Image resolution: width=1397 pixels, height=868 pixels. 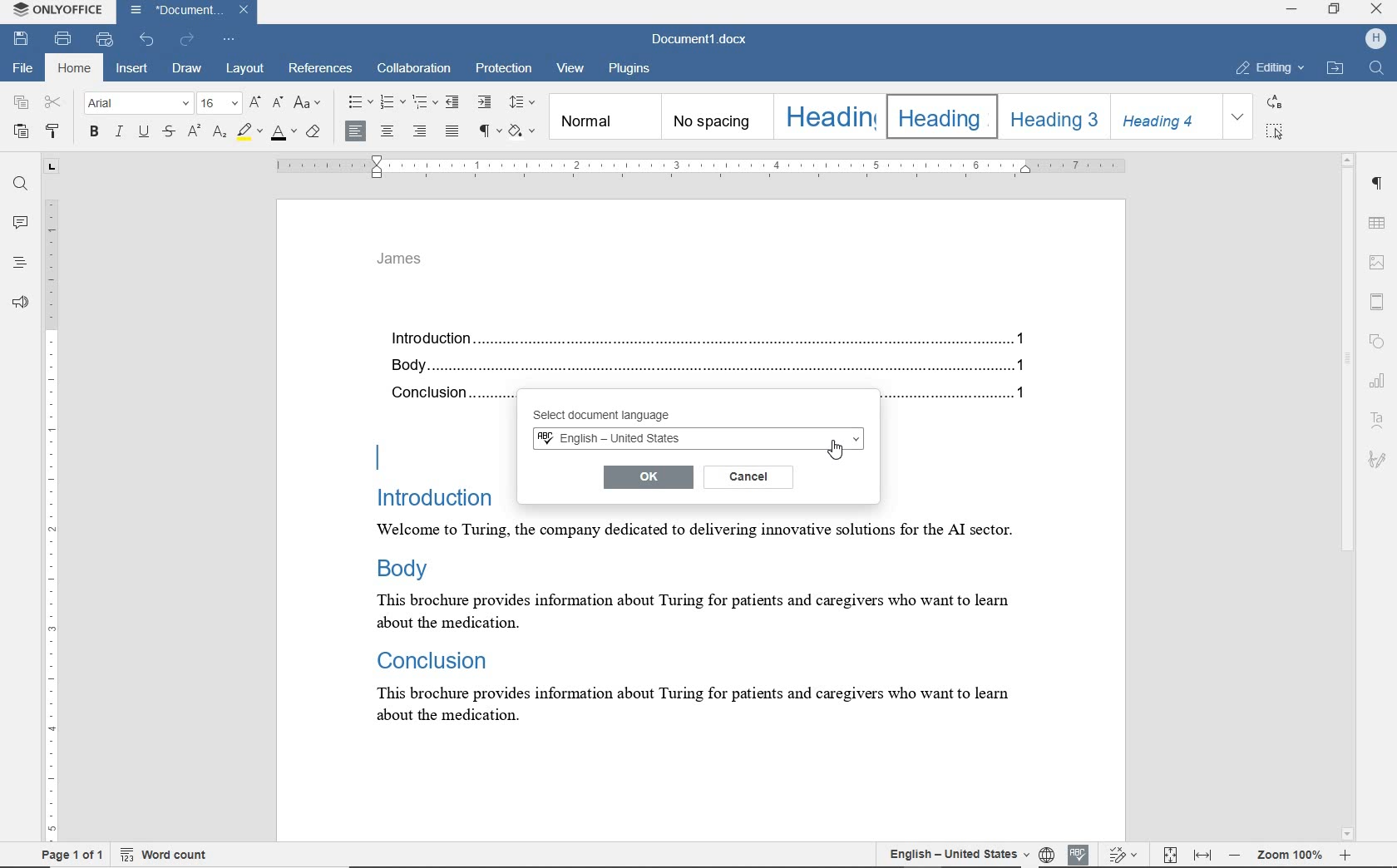 What do you see at coordinates (646, 476) in the screenshot?
I see `ok` at bounding box center [646, 476].